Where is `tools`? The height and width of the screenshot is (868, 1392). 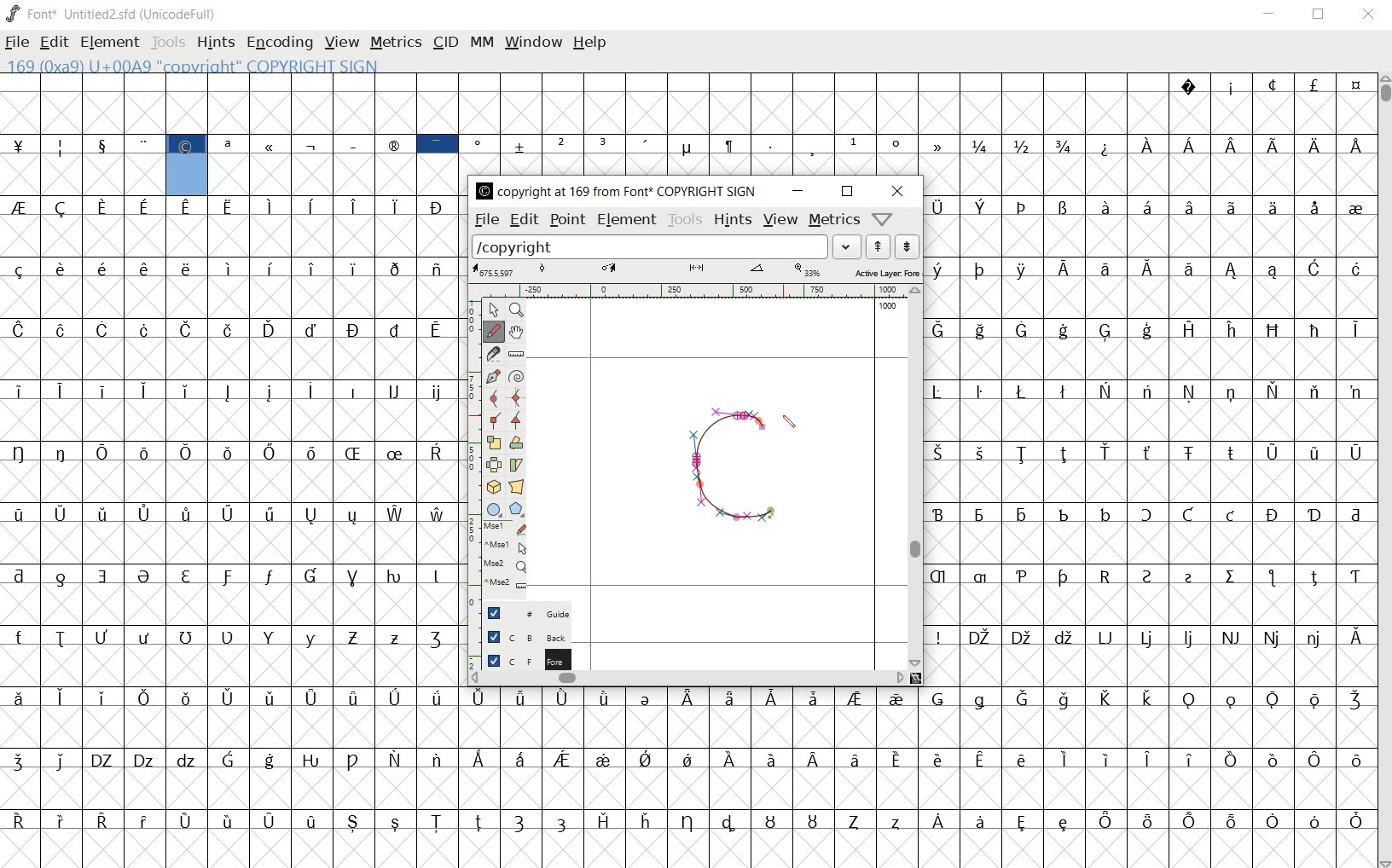 tools is located at coordinates (170, 44).